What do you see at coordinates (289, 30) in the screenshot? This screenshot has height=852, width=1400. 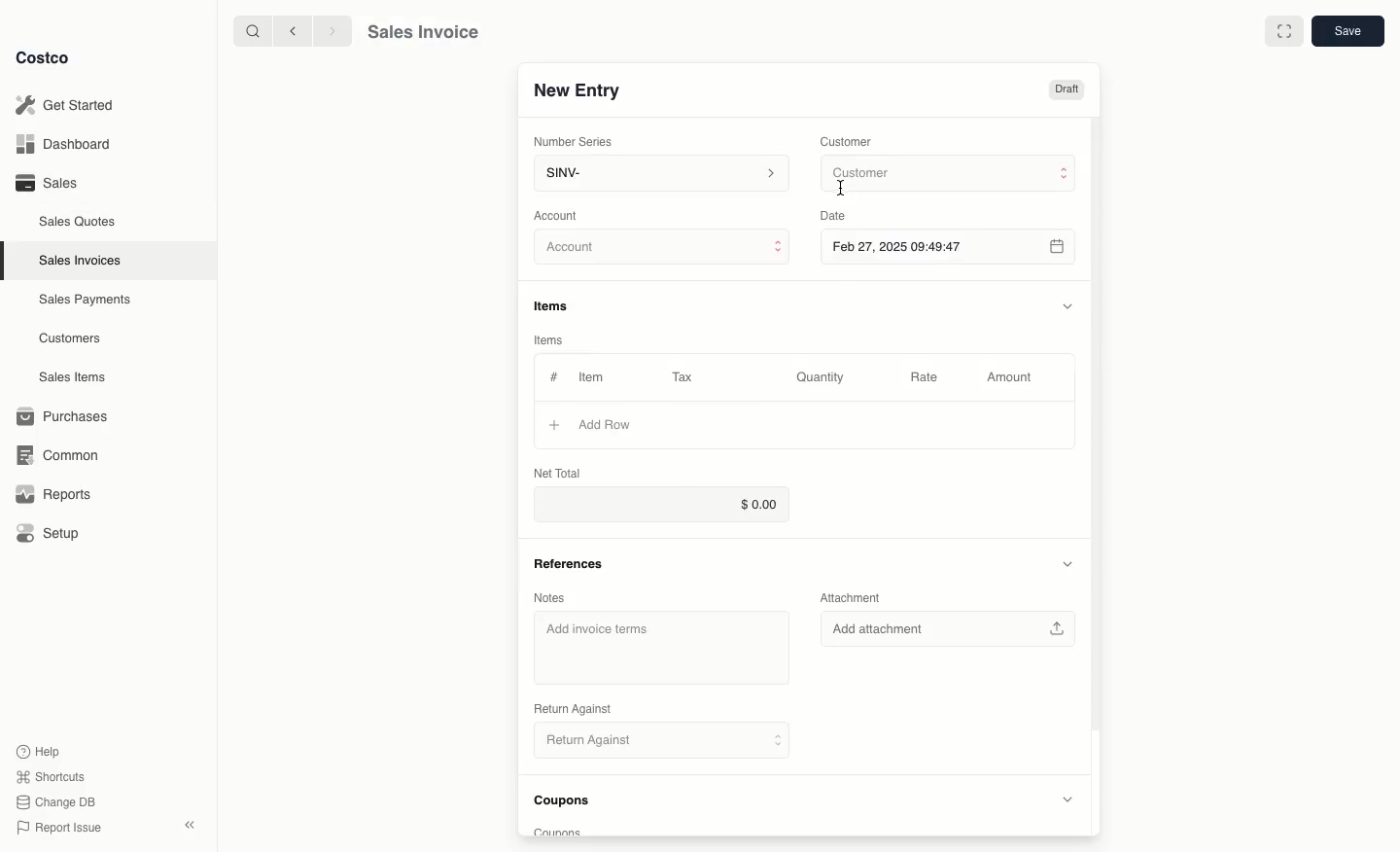 I see `backward` at bounding box center [289, 30].